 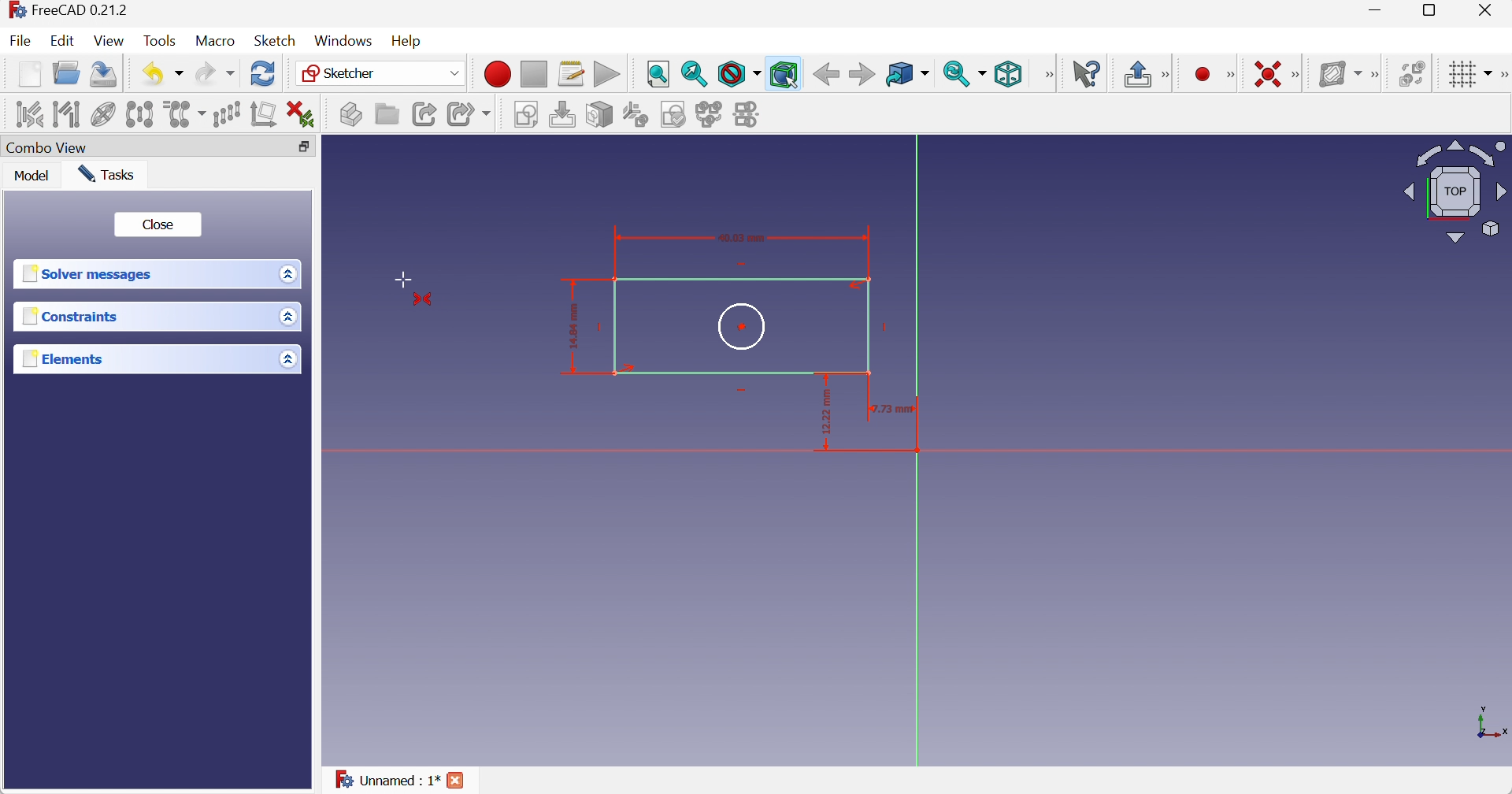 I want to click on View, so click(x=109, y=41).